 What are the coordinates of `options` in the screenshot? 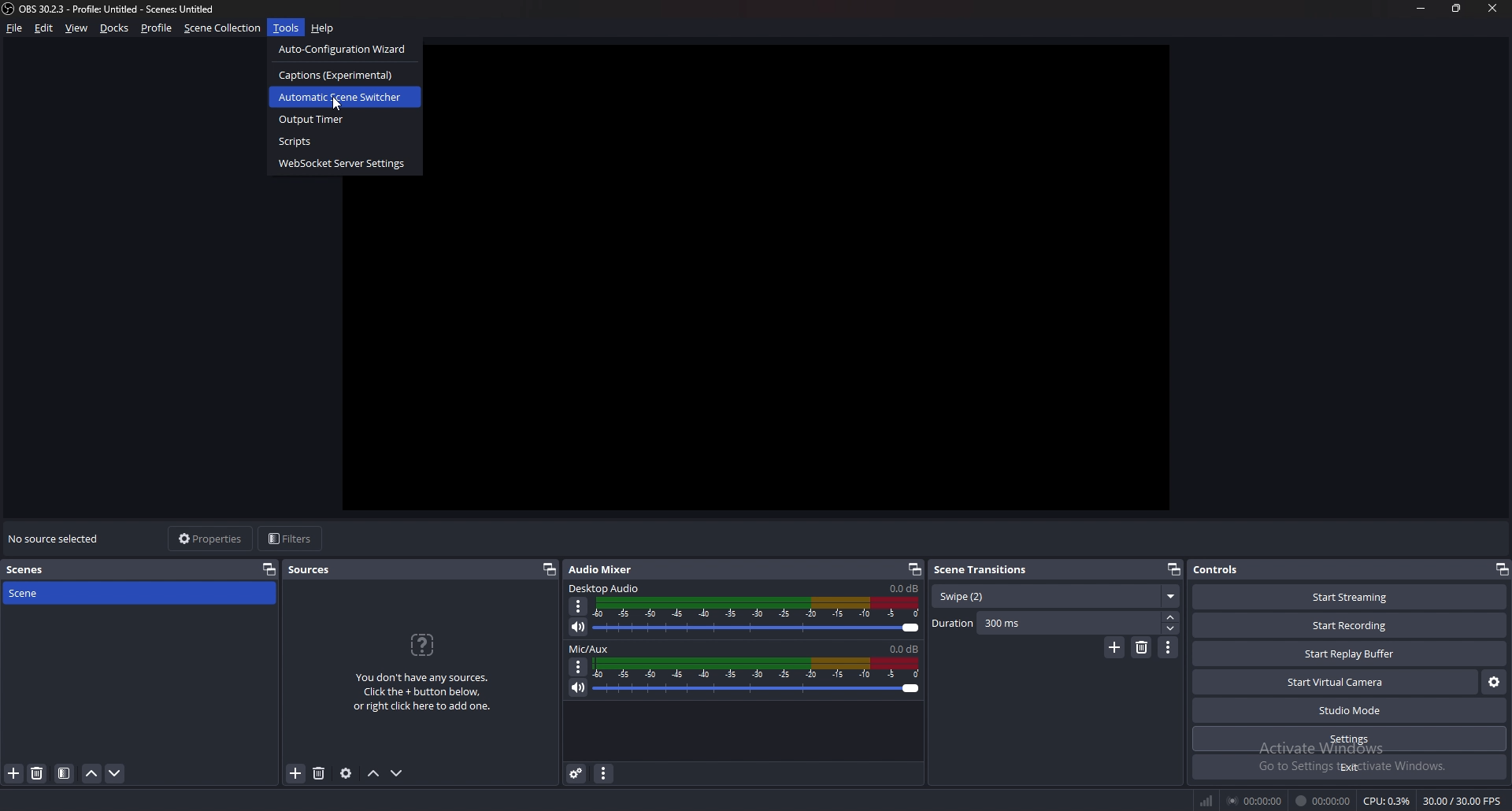 It's located at (579, 607).